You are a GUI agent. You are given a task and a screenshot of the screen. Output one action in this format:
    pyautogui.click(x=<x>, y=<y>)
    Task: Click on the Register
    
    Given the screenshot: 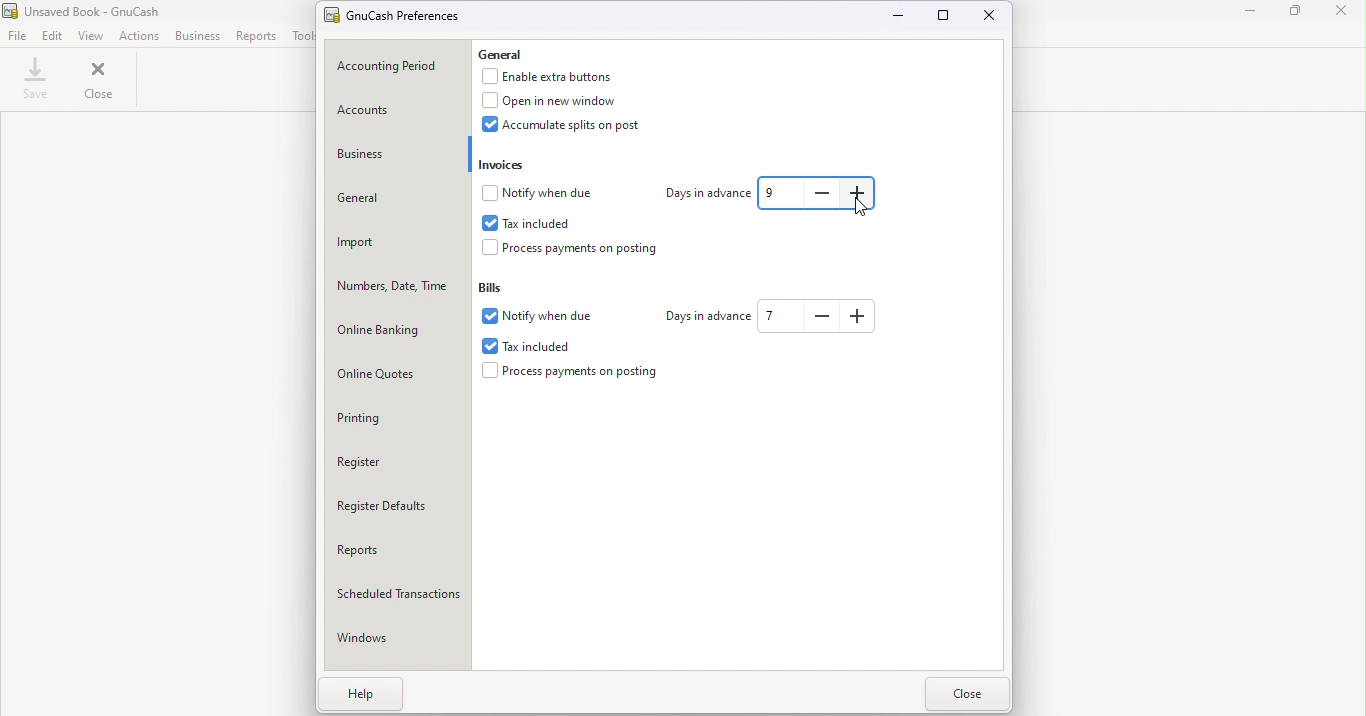 What is the action you would take?
    pyautogui.click(x=401, y=463)
    